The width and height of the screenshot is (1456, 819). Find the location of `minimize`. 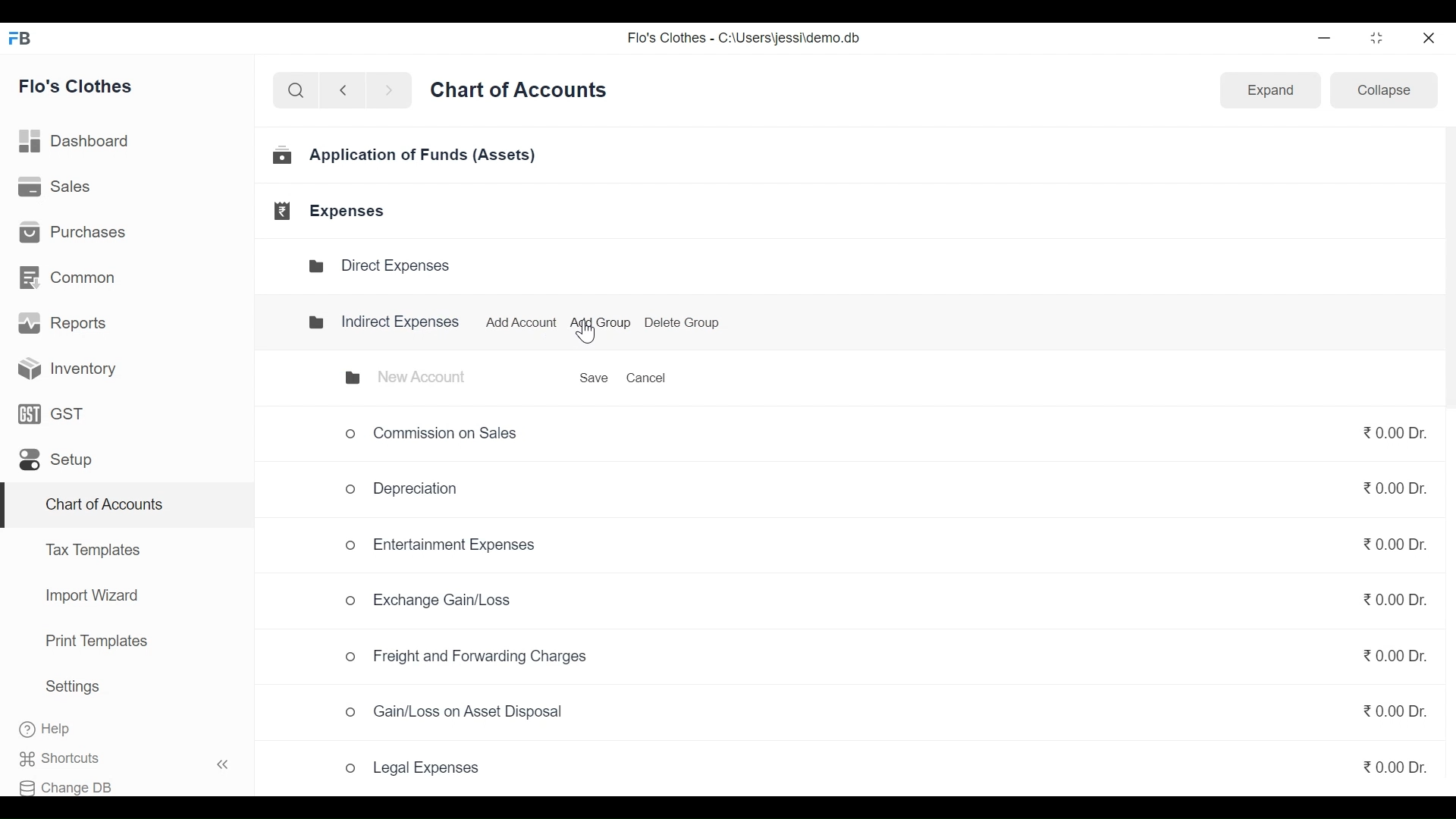

minimize is located at coordinates (1327, 38).